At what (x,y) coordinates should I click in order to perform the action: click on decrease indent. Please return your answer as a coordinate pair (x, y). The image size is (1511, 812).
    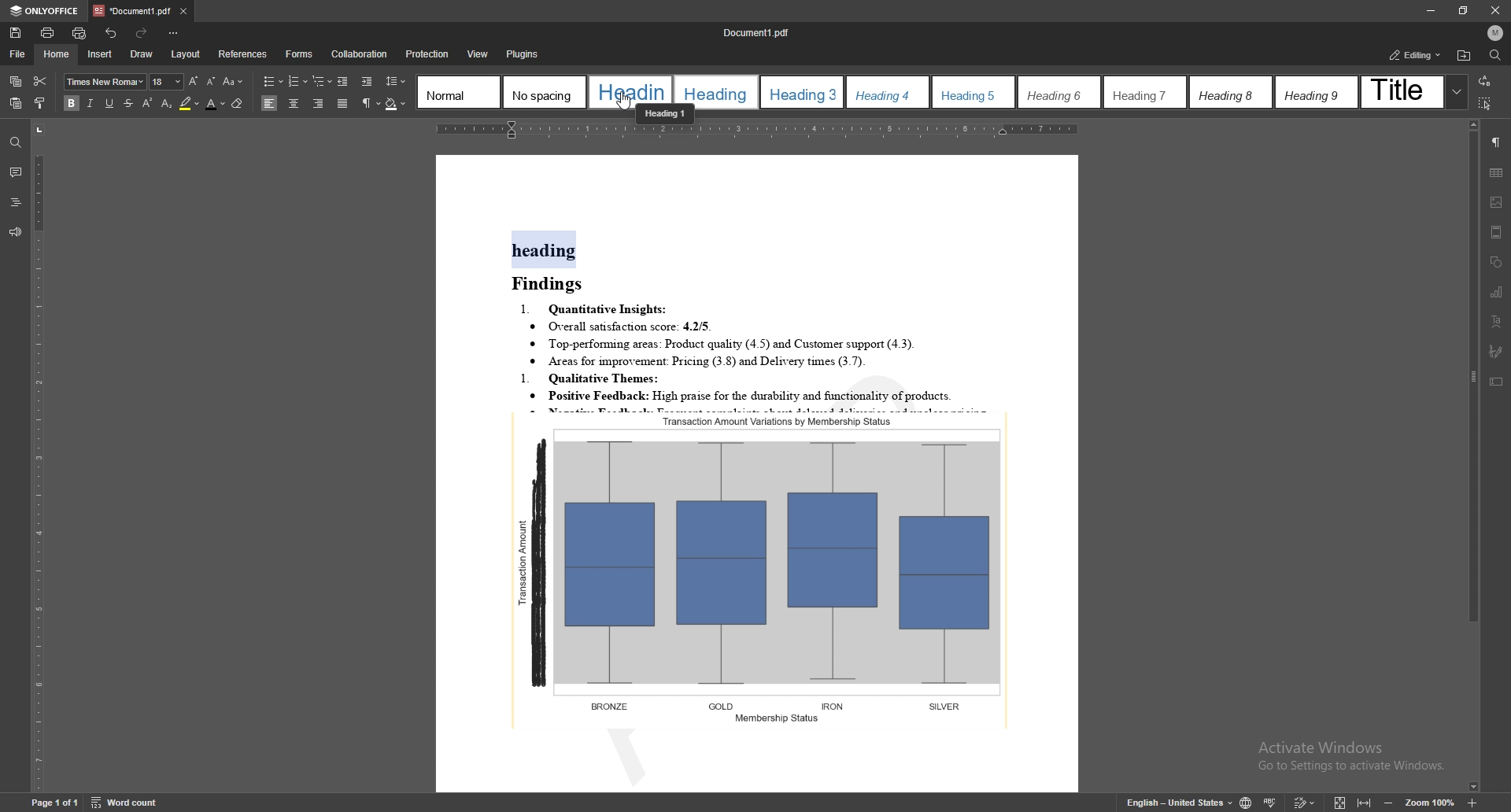
    Looking at the image, I should click on (343, 81).